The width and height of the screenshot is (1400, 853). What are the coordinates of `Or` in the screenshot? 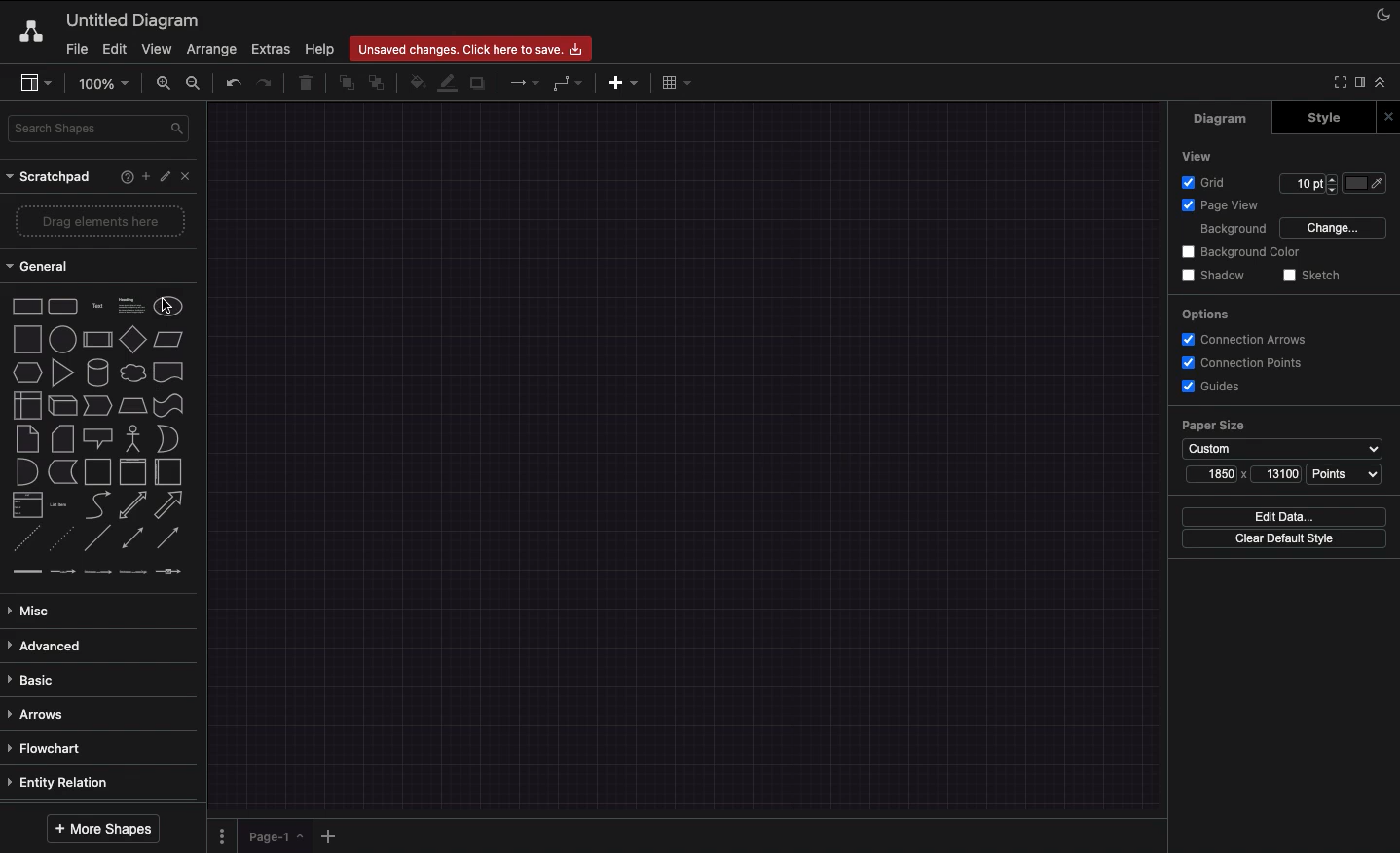 It's located at (168, 437).